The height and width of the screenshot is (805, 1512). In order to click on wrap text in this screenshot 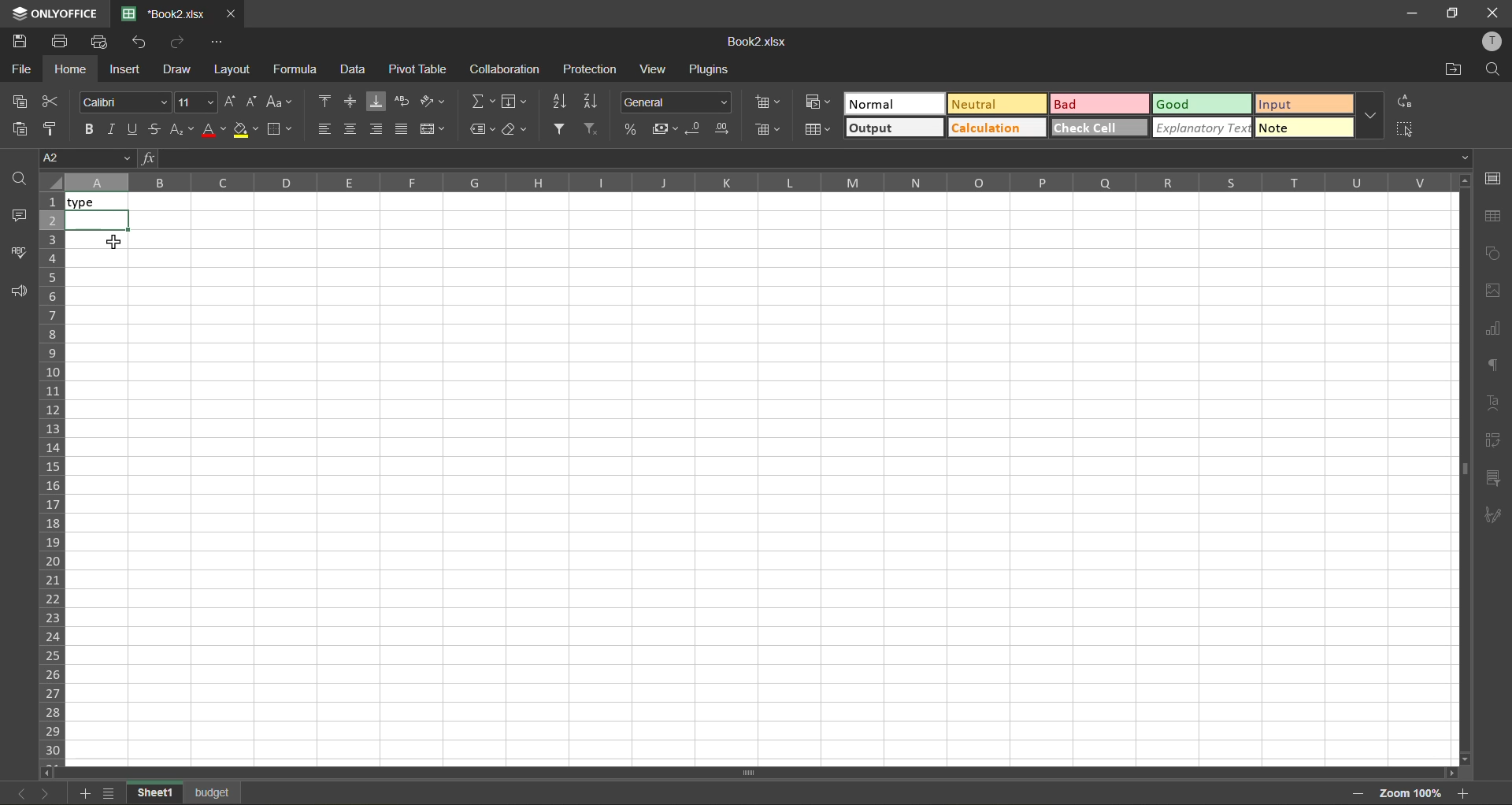, I will do `click(401, 101)`.